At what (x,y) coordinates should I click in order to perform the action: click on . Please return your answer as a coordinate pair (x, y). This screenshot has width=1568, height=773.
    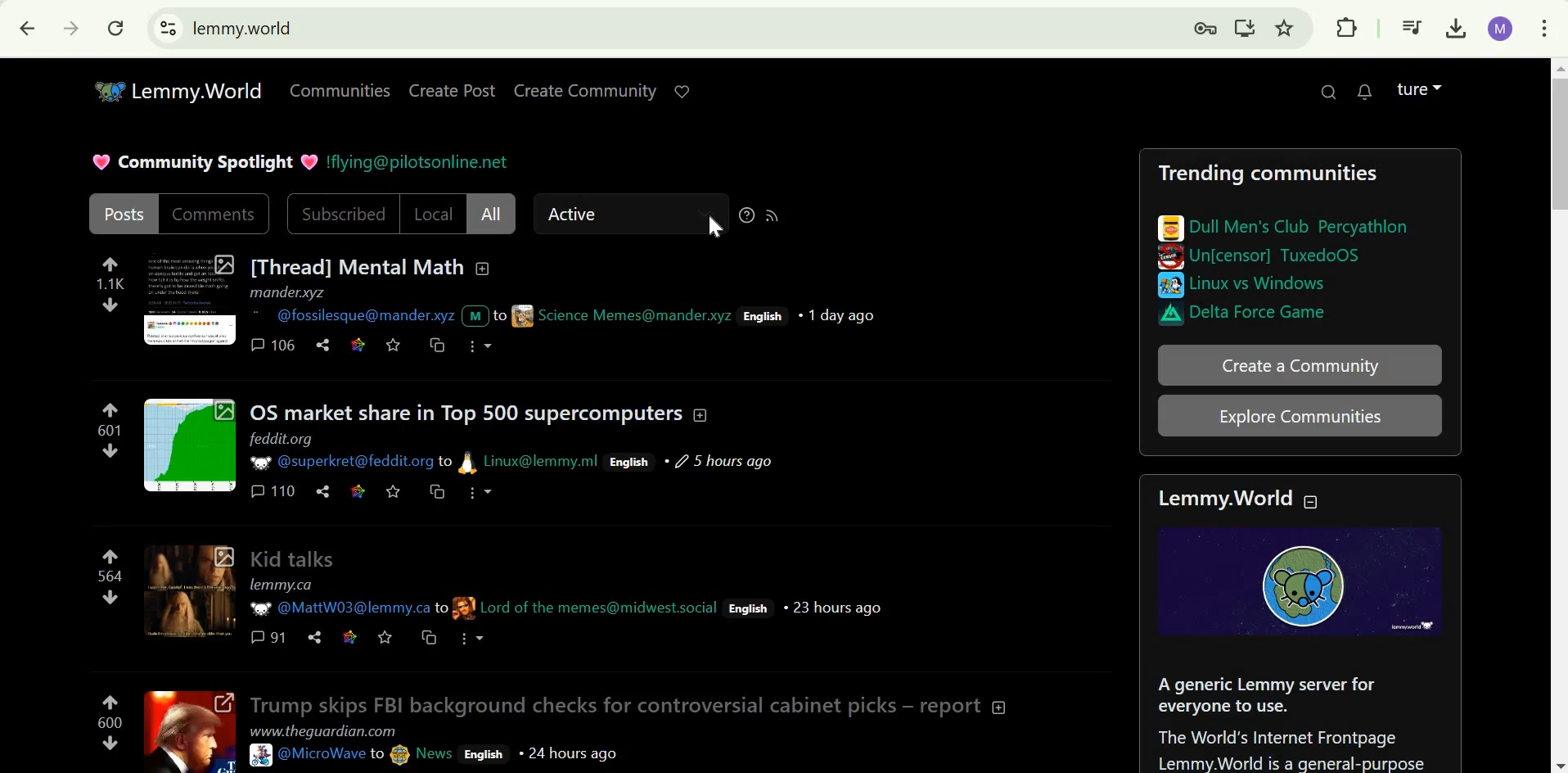
    Looking at the image, I should click on (484, 269).